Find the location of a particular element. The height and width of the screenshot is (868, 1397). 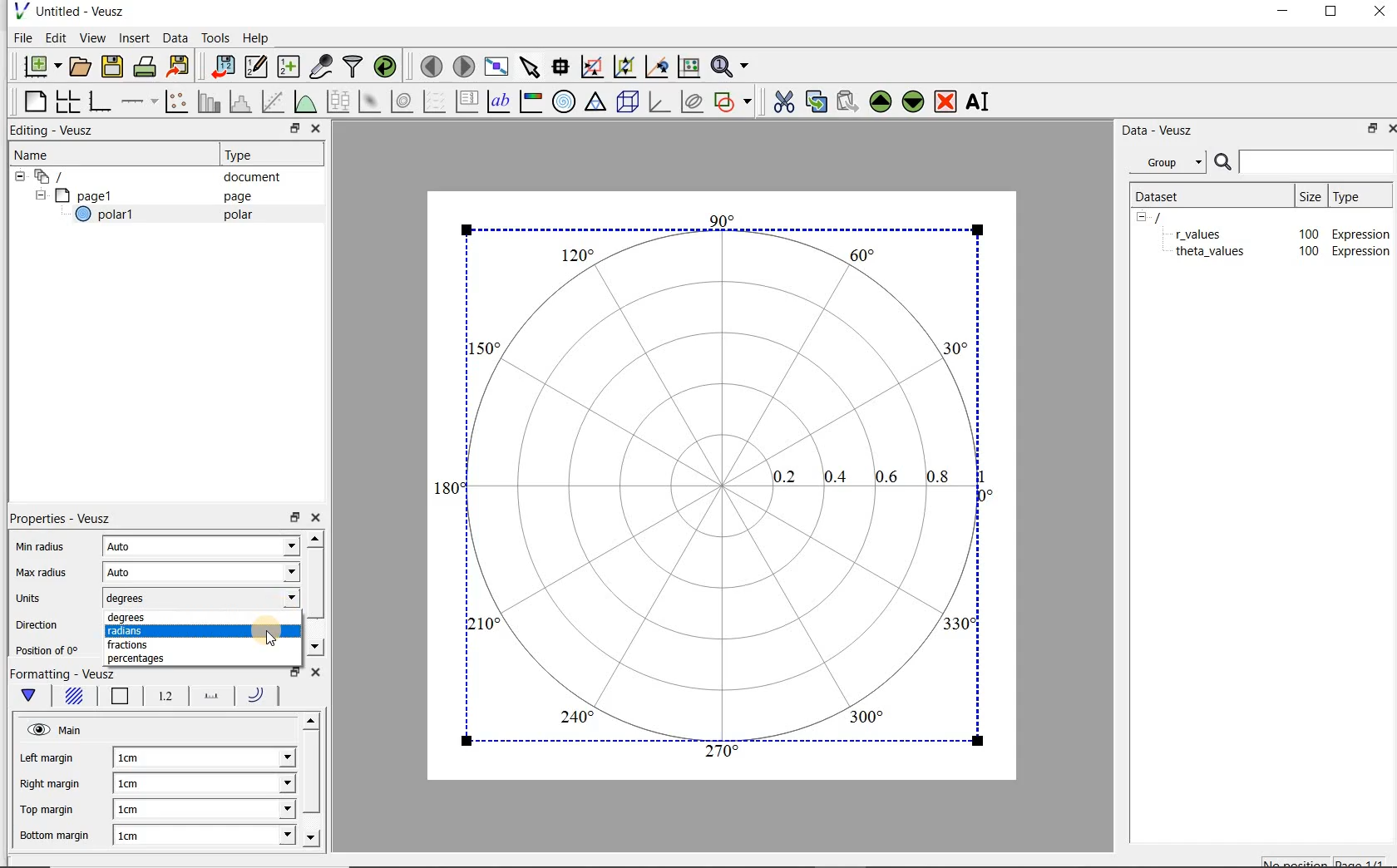

click to zoom out of graph axes is located at coordinates (625, 67).